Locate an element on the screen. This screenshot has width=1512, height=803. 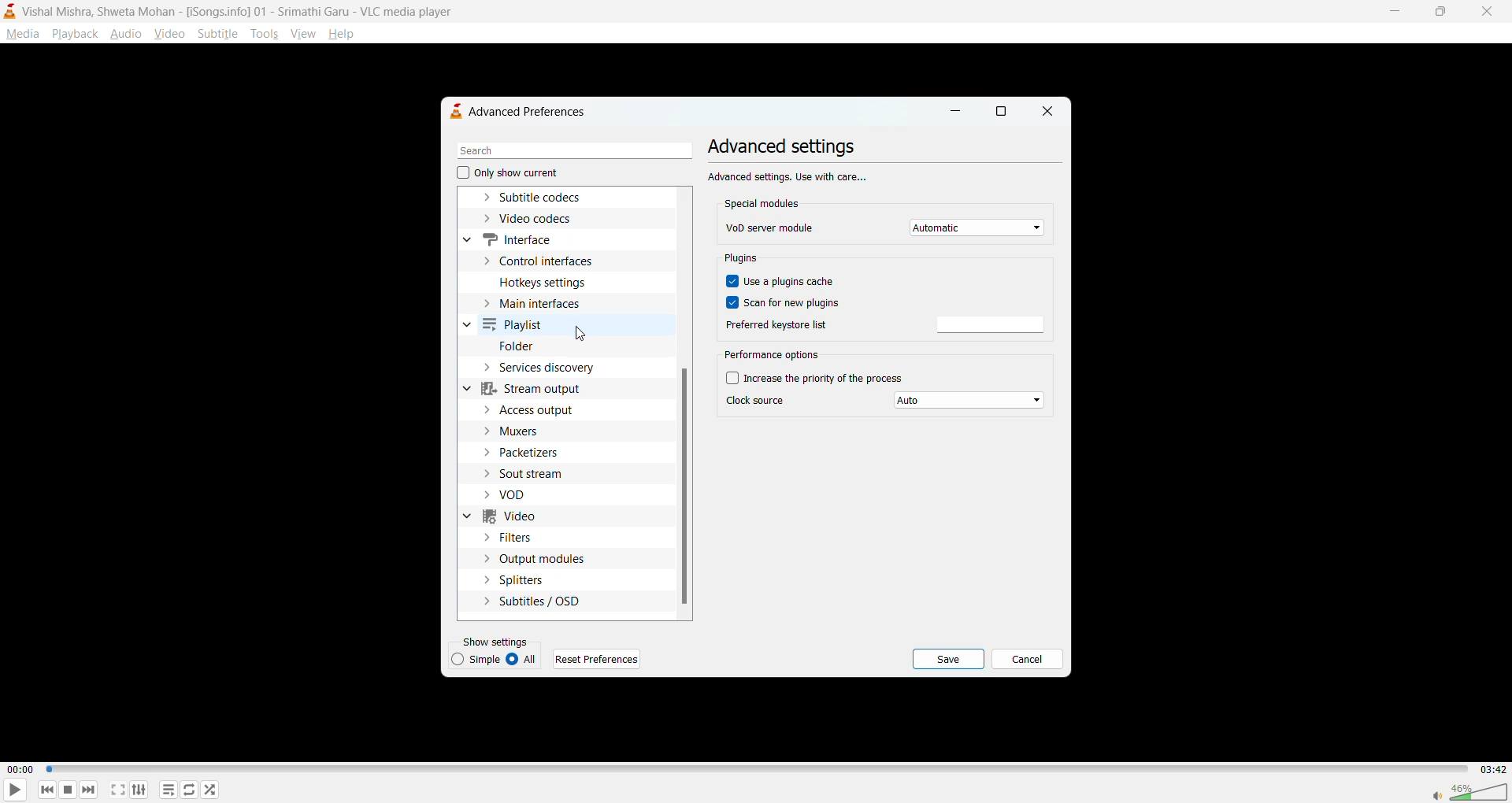
video is located at coordinates (517, 518).